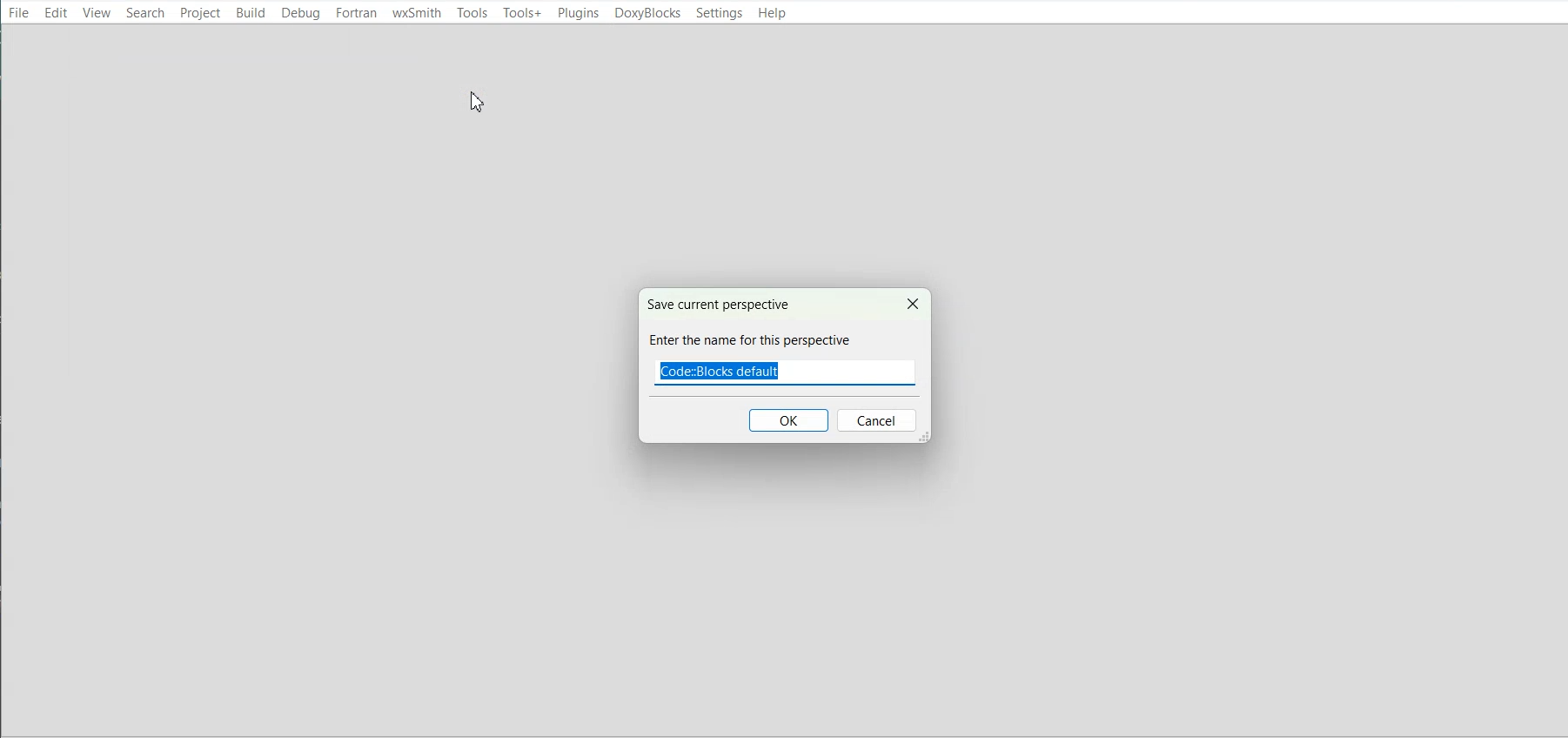  Describe the element at coordinates (56, 12) in the screenshot. I see `Edit` at that location.